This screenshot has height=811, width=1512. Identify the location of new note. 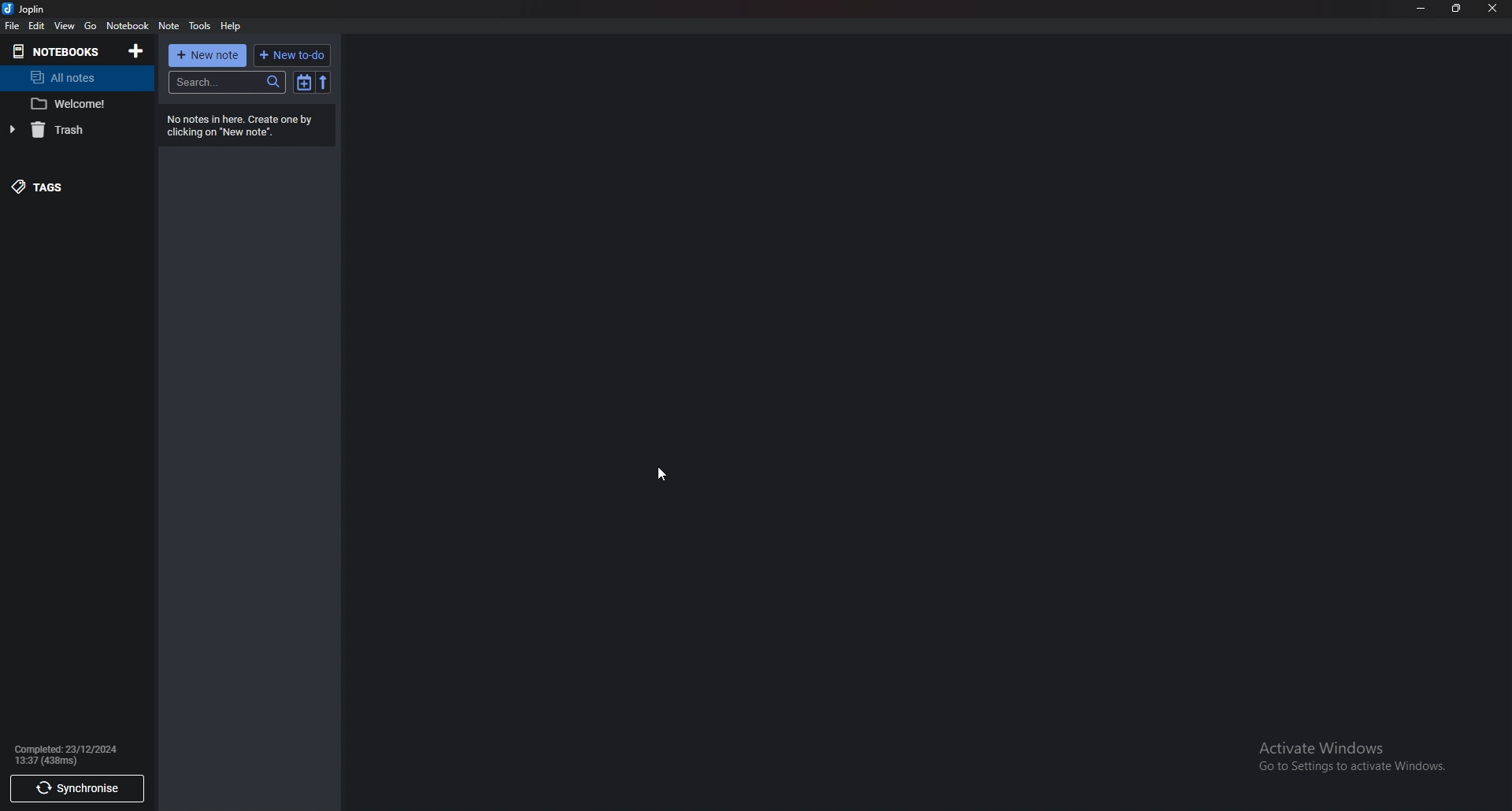
(208, 55).